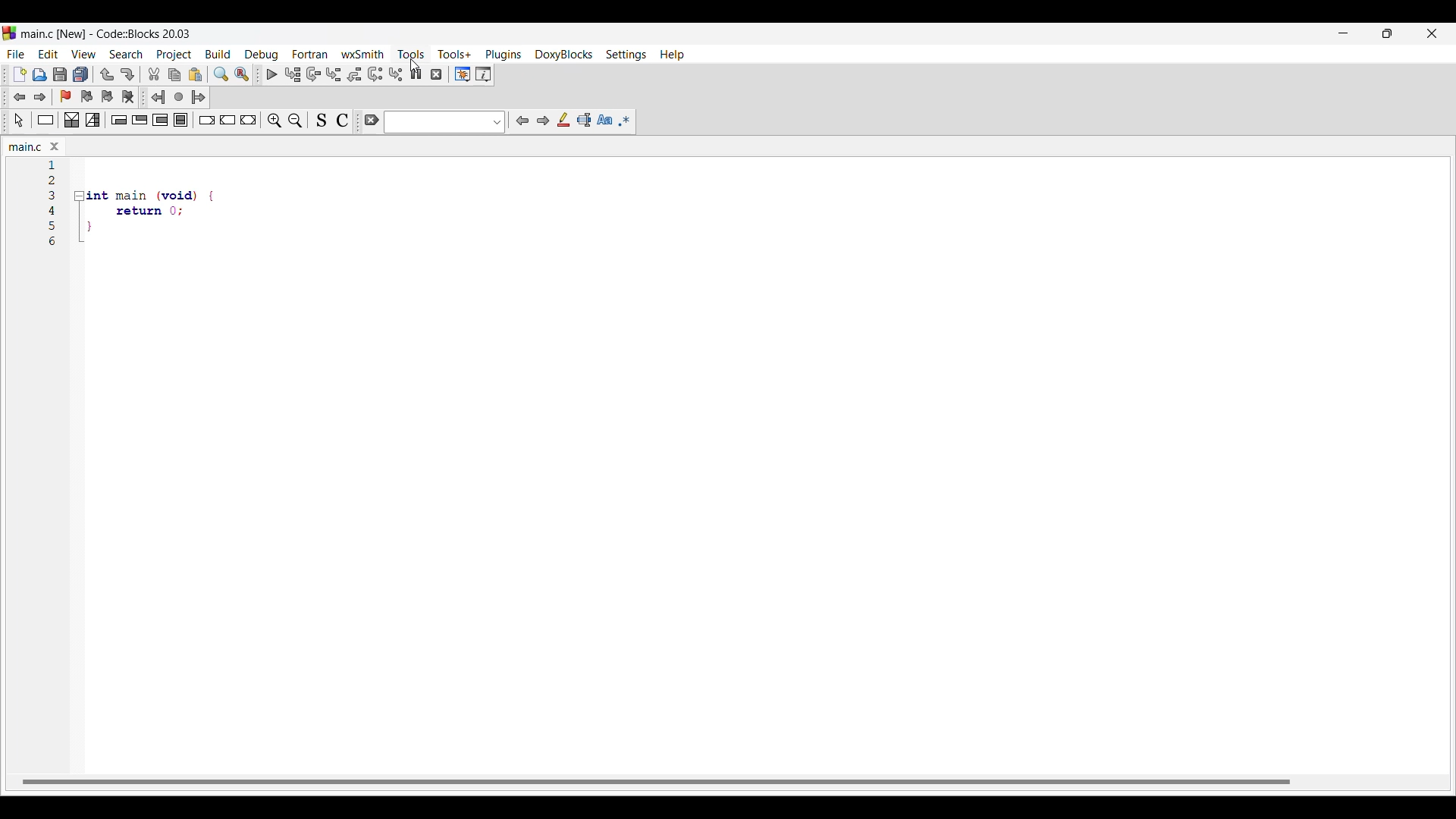 This screenshot has width=1456, height=819. Describe the element at coordinates (181, 120) in the screenshot. I see `Block instruction` at that location.